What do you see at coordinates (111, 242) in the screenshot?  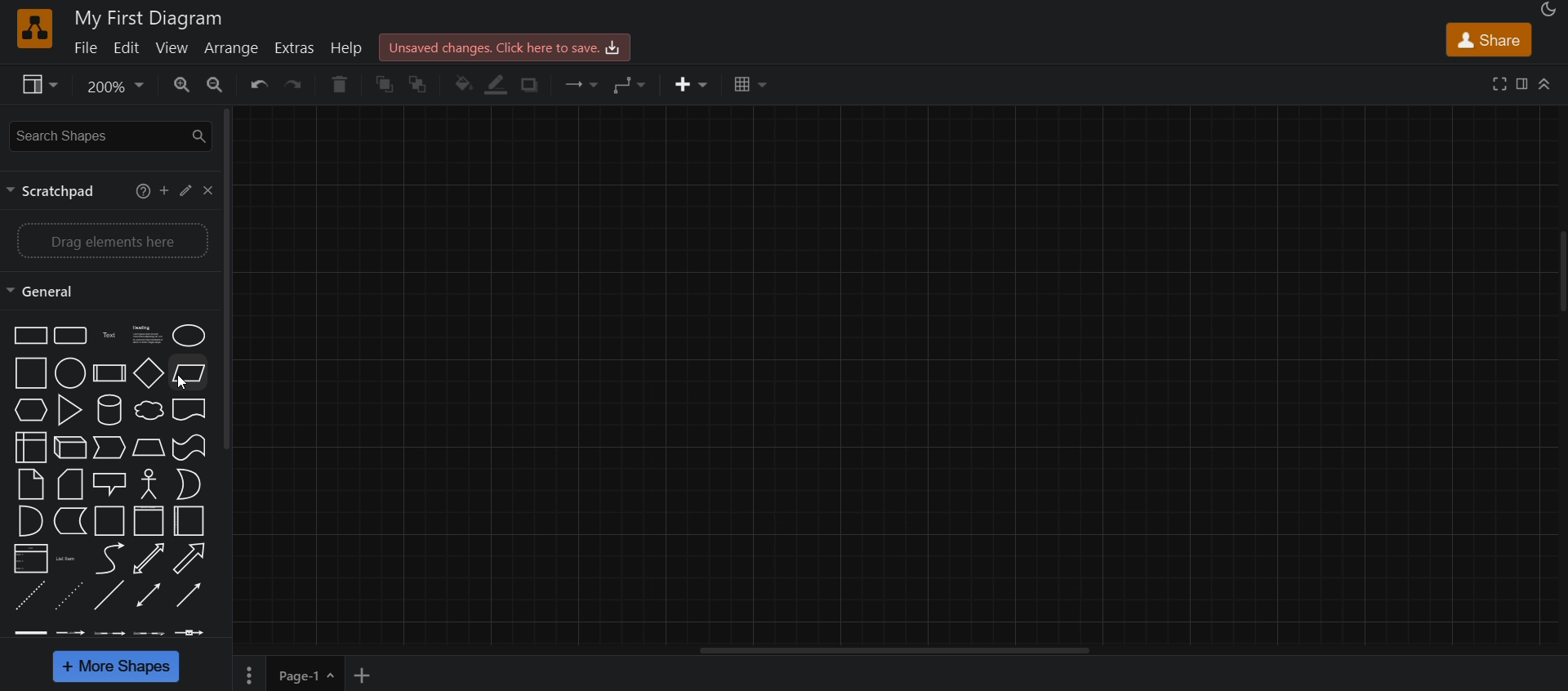 I see `drag elements` at bounding box center [111, 242].